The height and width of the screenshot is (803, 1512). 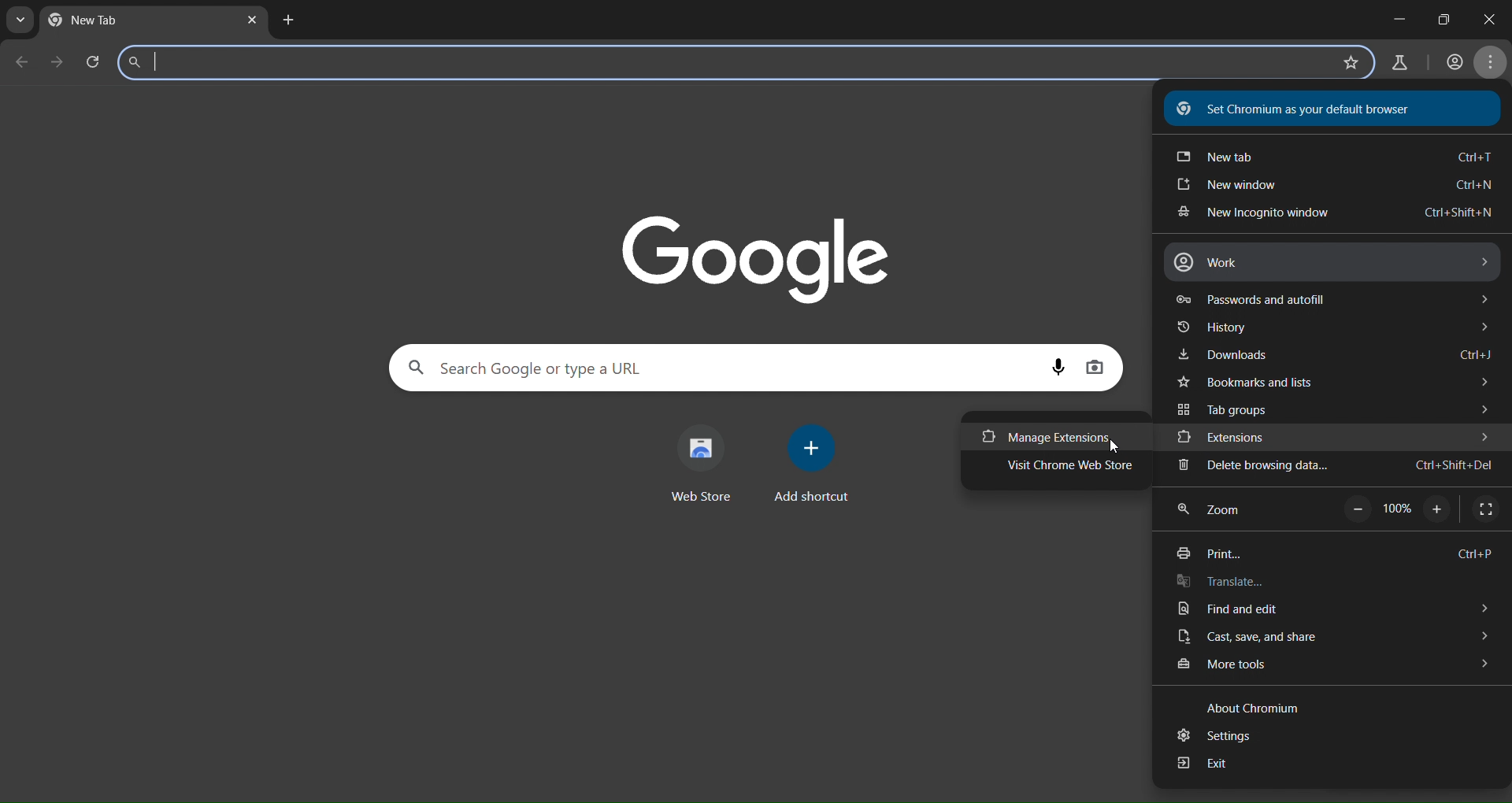 What do you see at coordinates (1222, 584) in the screenshot?
I see `translate` at bounding box center [1222, 584].